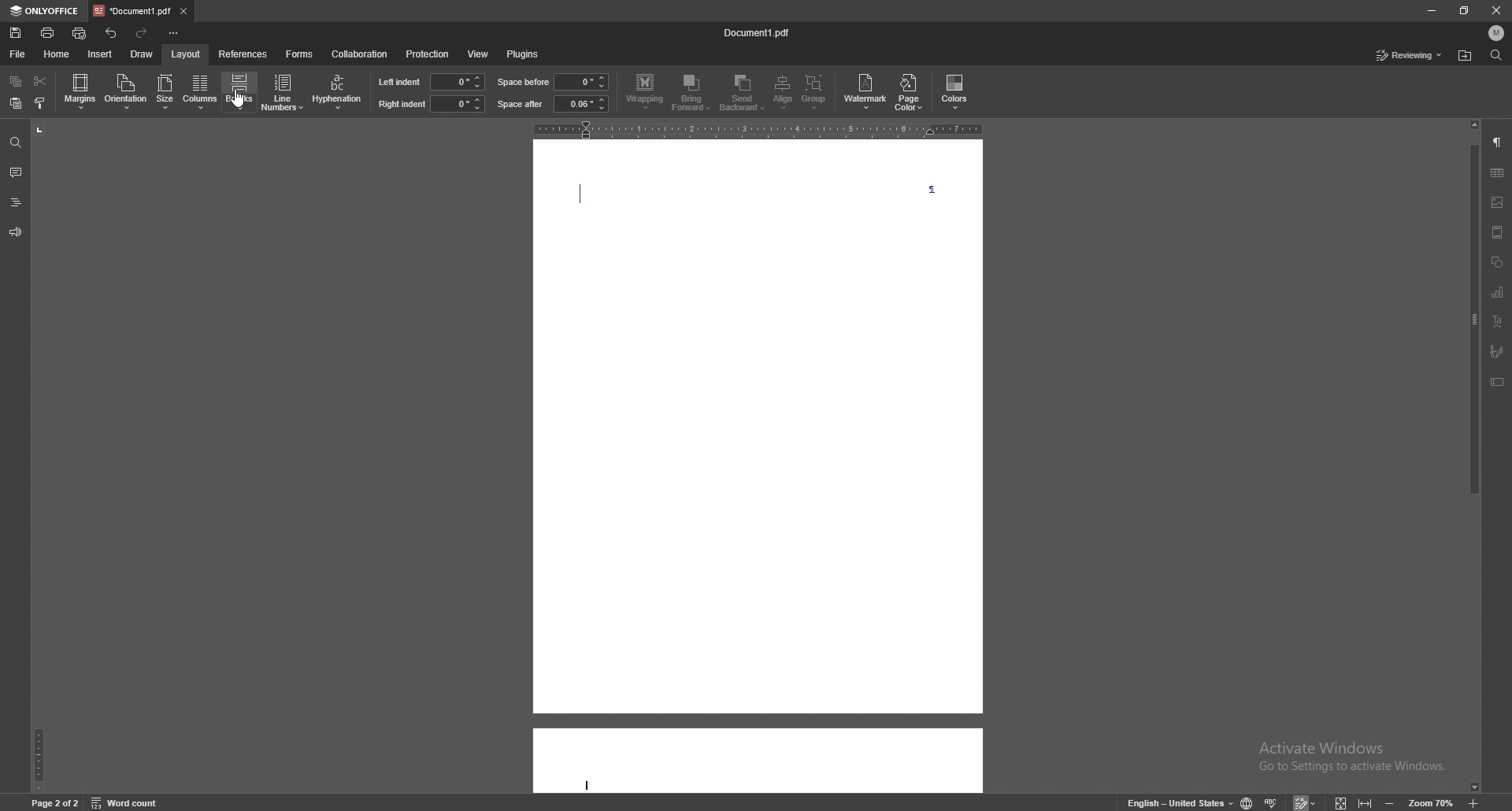 The height and width of the screenshot is (811, 1512). What do you see at coordinates (16, 232) in the screenshot?
I see `feedback` at bounding box center [16, 232].